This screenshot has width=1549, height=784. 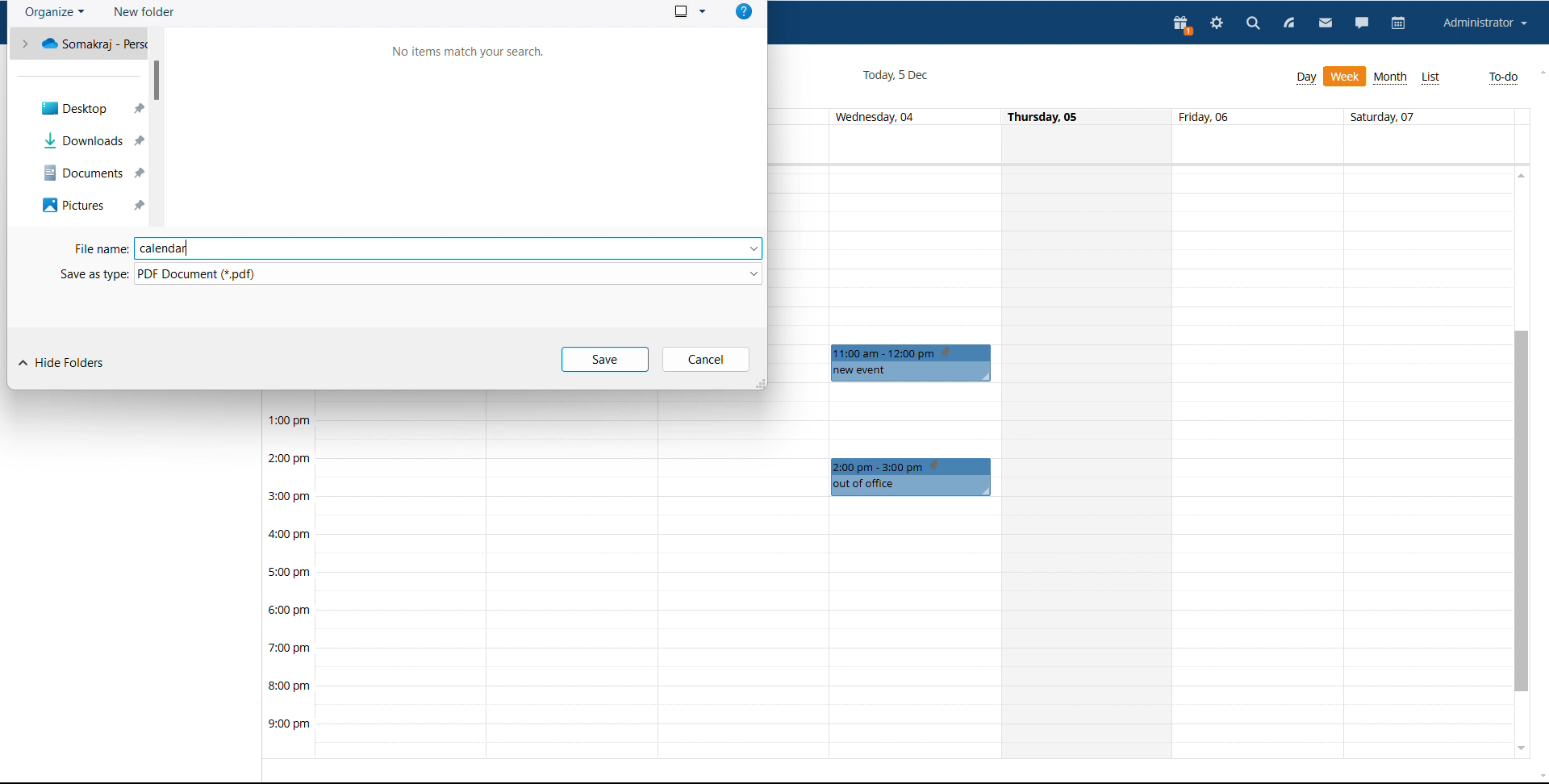 What do you see at coordinates (470, 52) in the screenshot?
I see `text` at bounding box center [470, 52].